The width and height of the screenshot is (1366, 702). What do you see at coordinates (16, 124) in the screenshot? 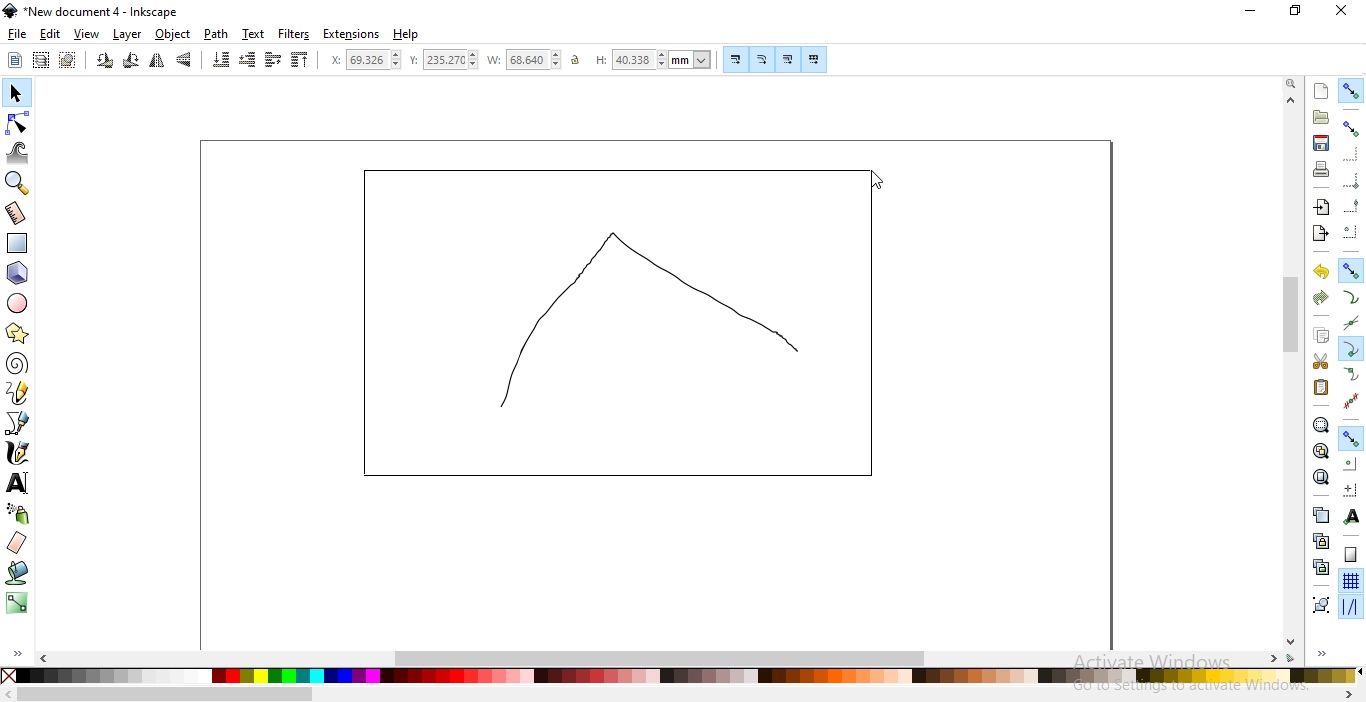
I see `edit paths by nodes` at bounding box center [16, 124].